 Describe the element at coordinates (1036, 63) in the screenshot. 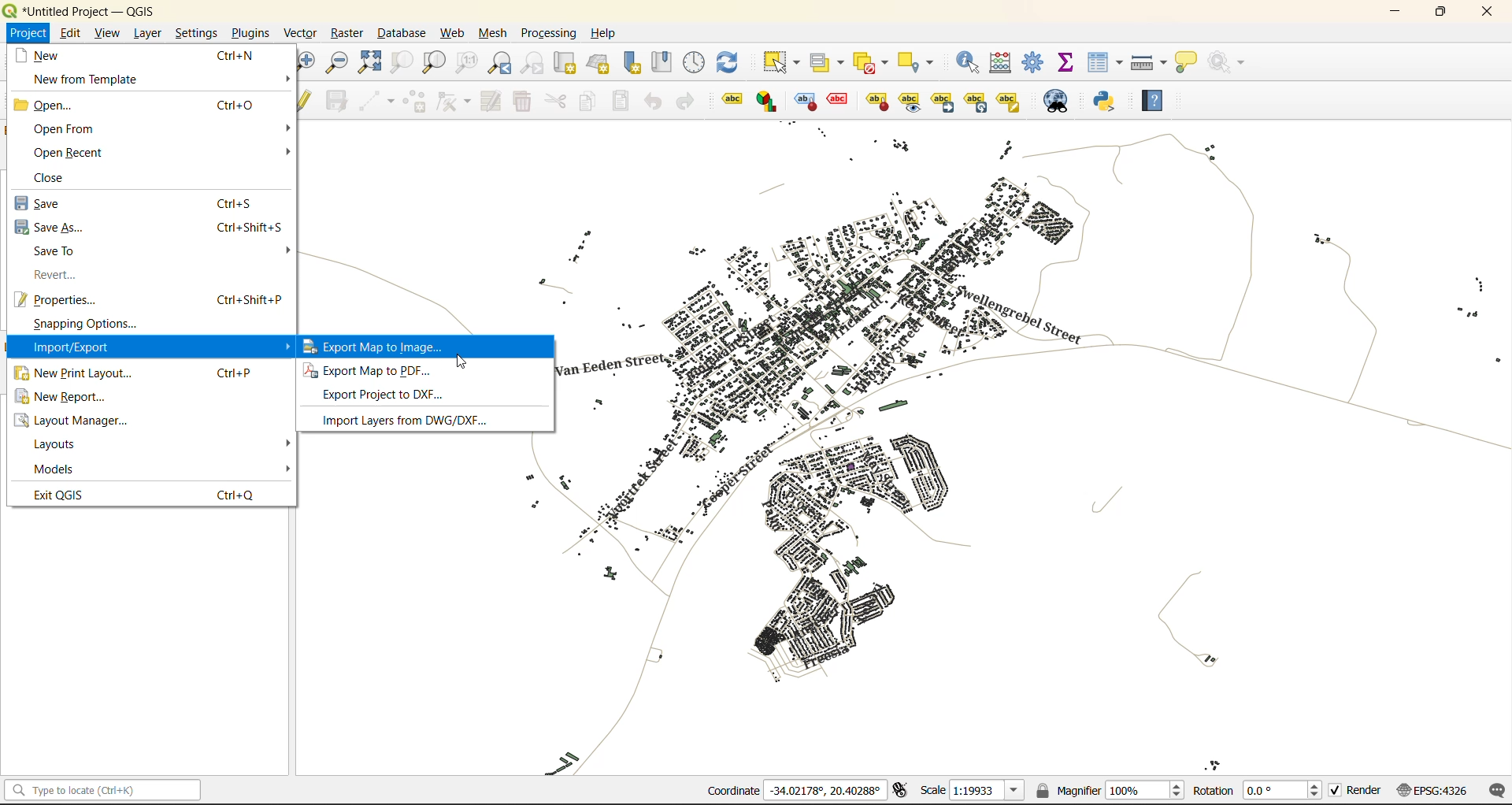

I see `toolbox` at that location.